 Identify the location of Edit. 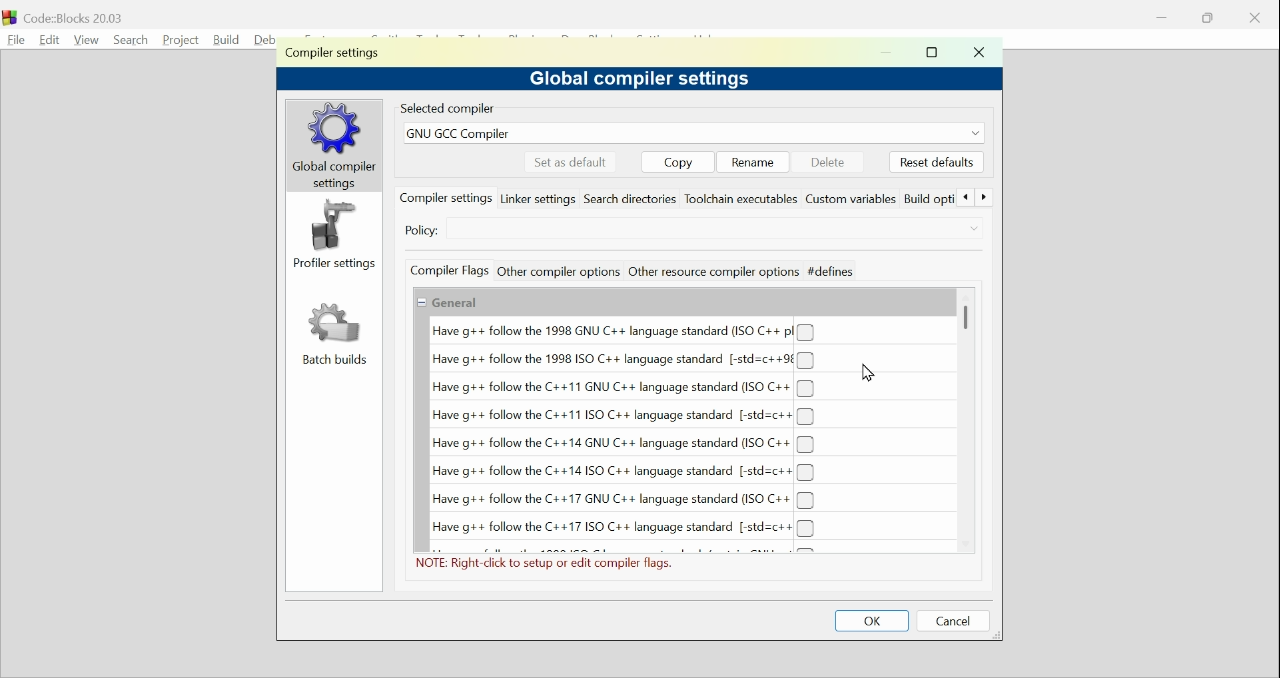
(46, 38).